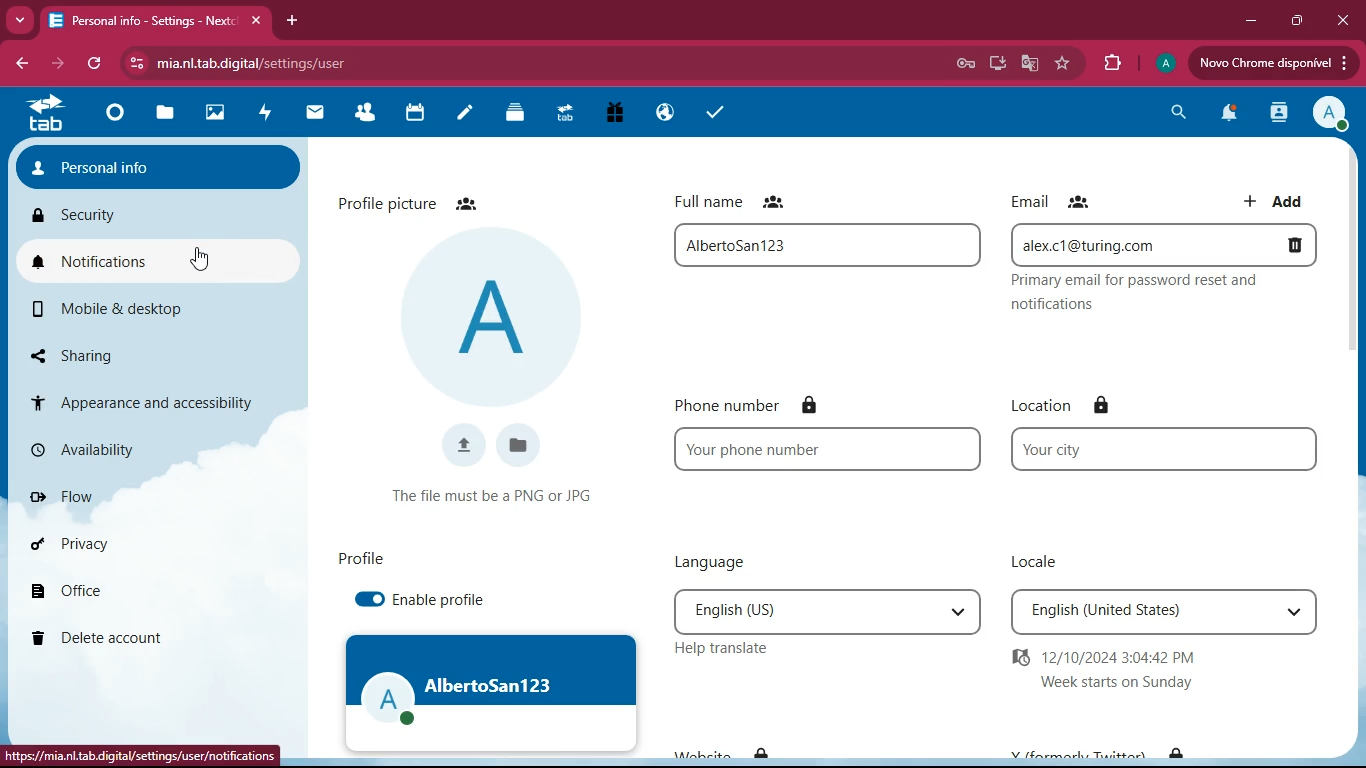 Image resolution: width=1366 pixels, height=768 pixels. What do you see at coordinates (1110, 64) in the screenshot?
I see `extensions` at bounding box center [1110, 64].